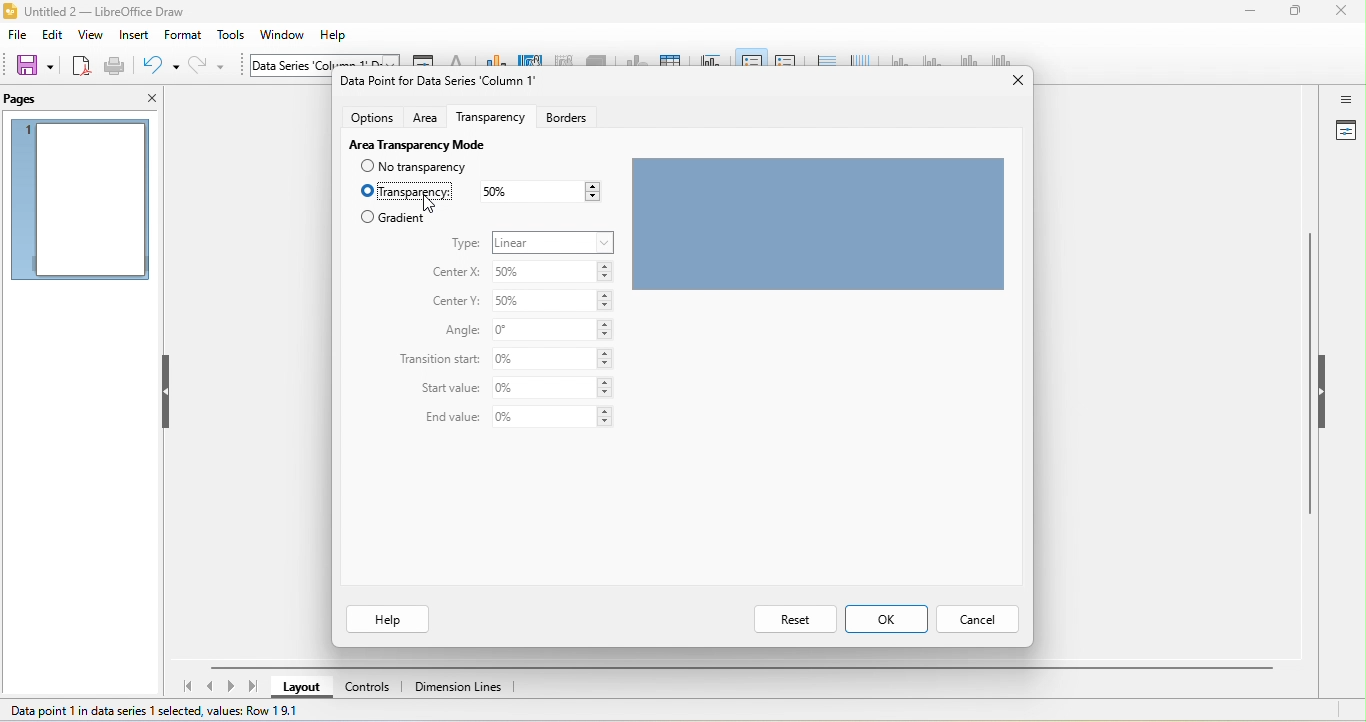  Describe the element at coordinates (795, 618) in the screenshot. I see `reset` at that location.